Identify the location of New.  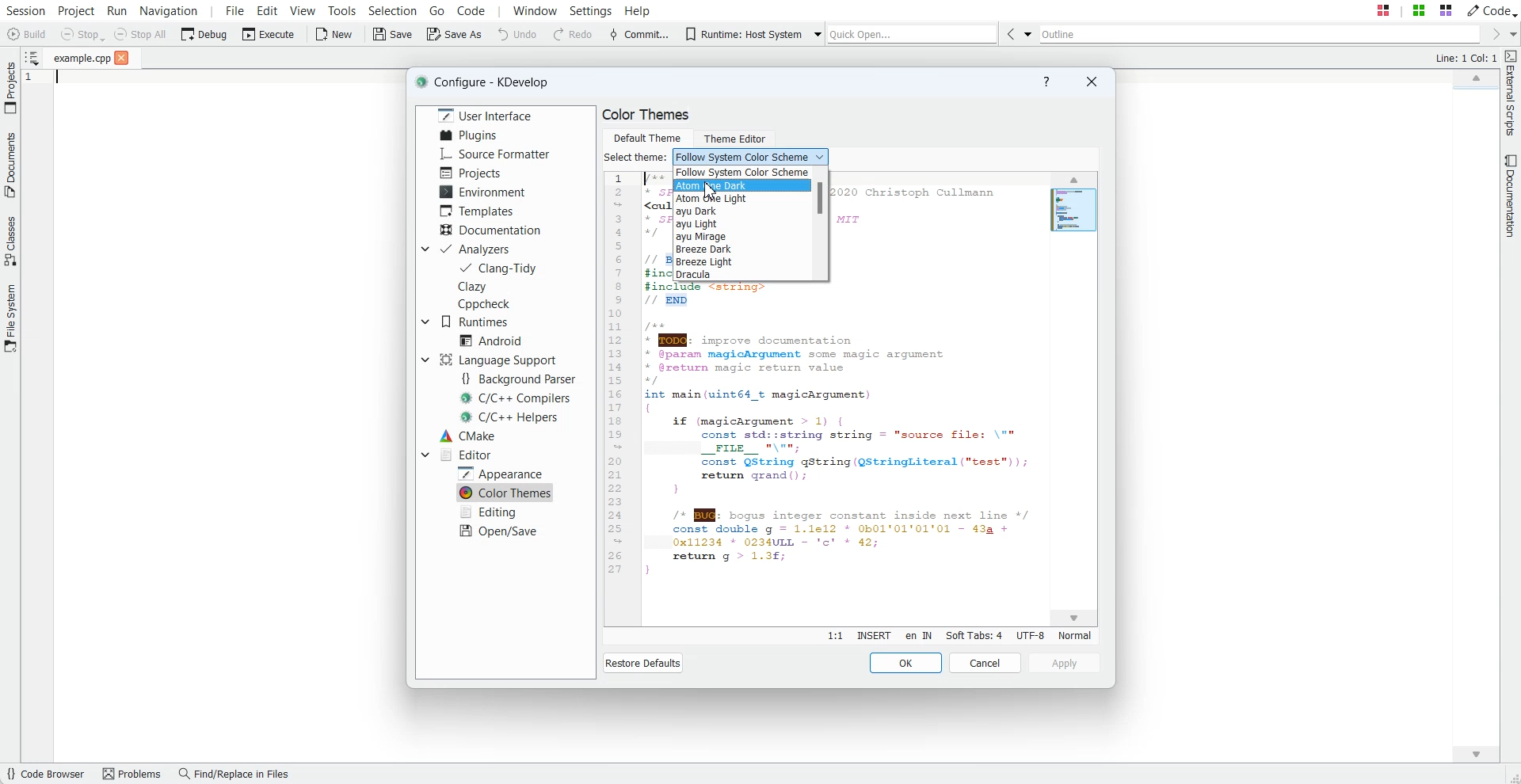
(336, 35).